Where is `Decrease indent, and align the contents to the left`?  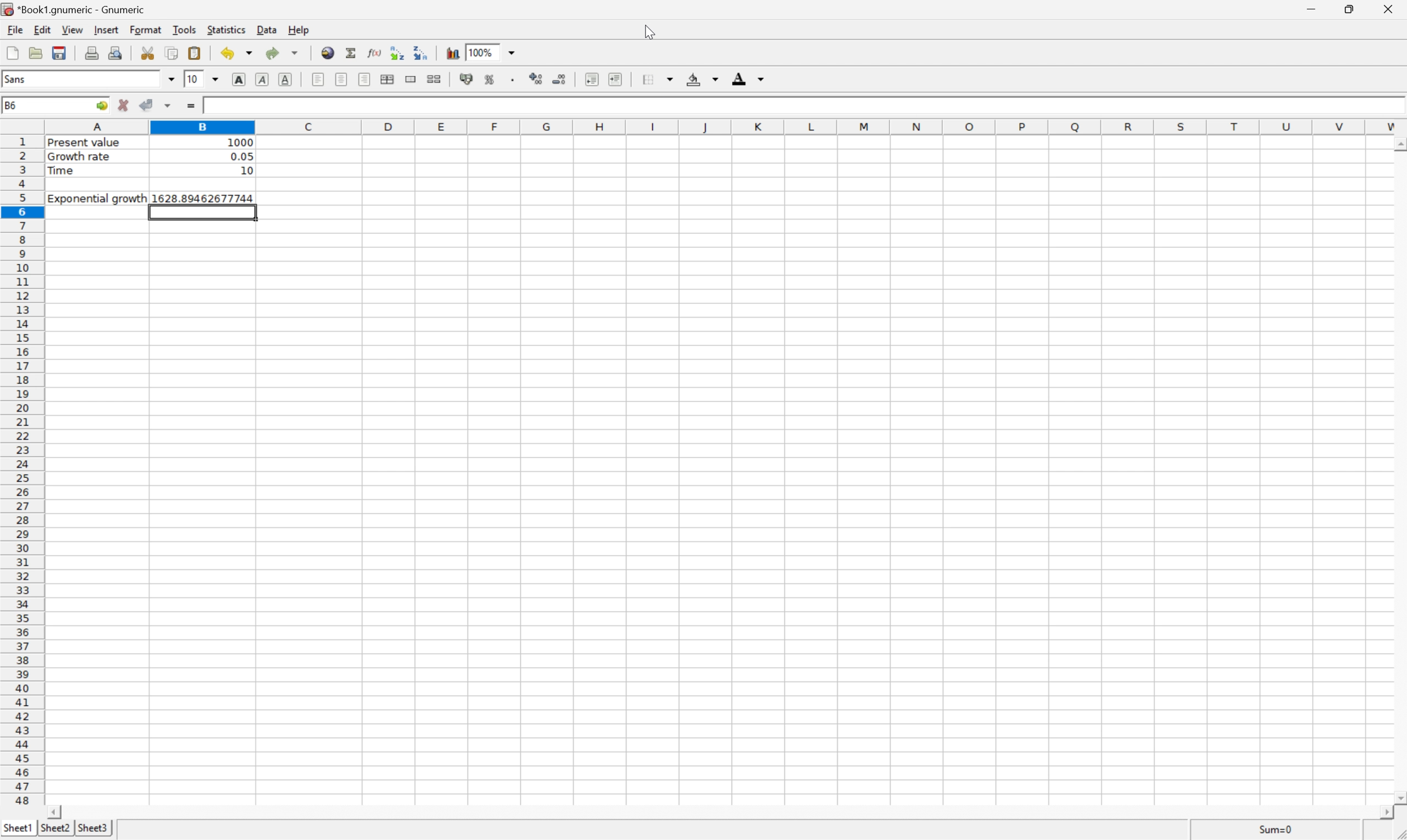 Decrease indent, and align the contents to the left is located at coordinates (397, 53).